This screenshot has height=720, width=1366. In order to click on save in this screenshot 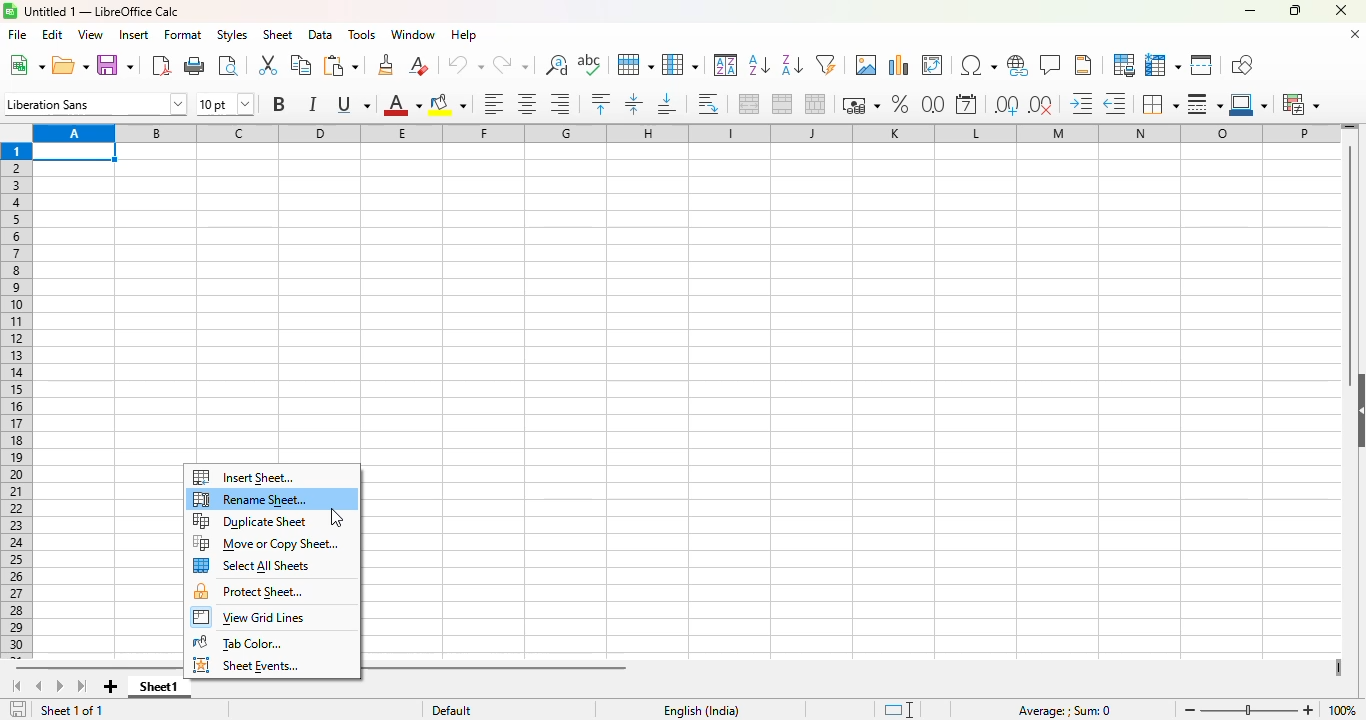, I will do `click(116, 65)`.